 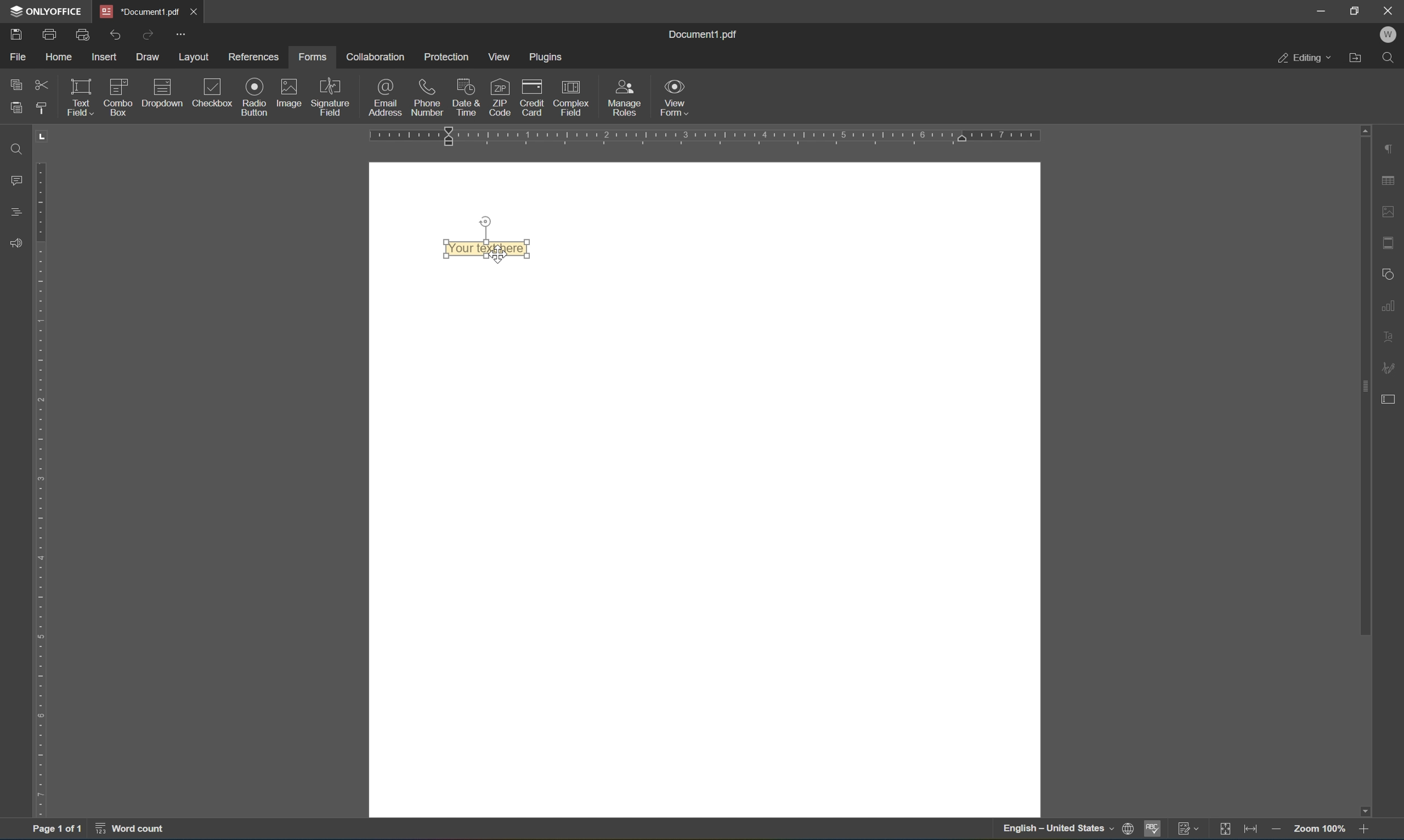 I want to click on layout, so click(x=195, y=57).